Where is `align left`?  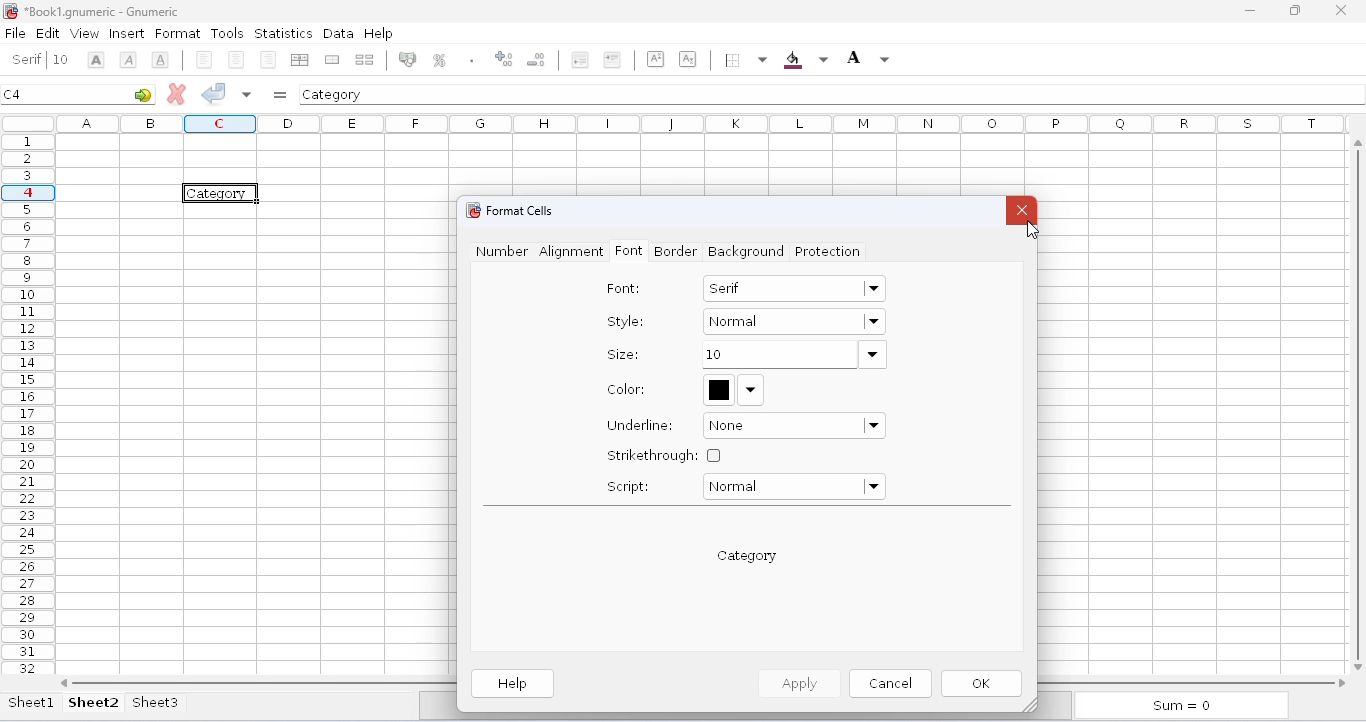 align left is located at coordinates (235, 60).